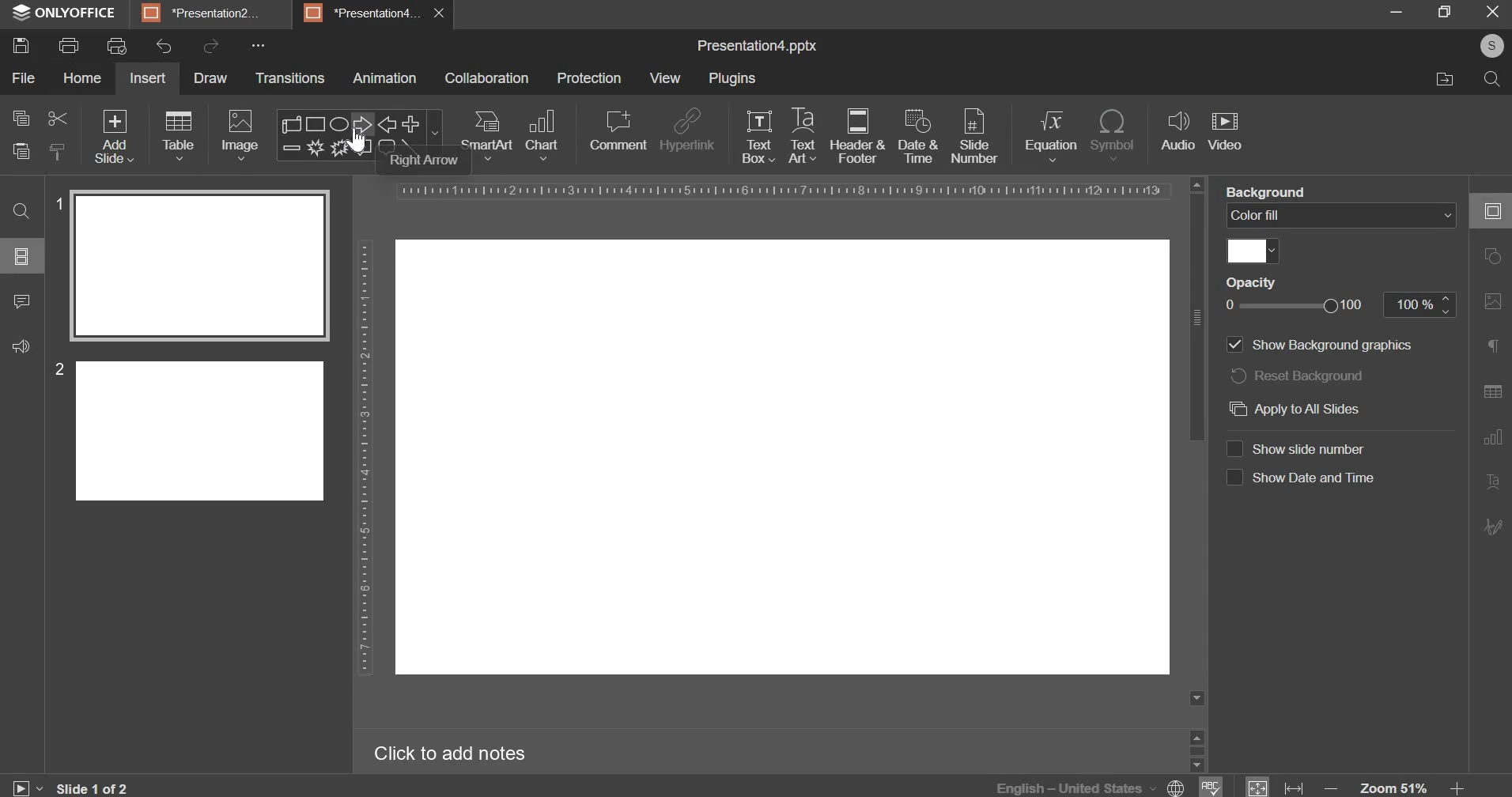  I want to click on home, so click(82, 78).